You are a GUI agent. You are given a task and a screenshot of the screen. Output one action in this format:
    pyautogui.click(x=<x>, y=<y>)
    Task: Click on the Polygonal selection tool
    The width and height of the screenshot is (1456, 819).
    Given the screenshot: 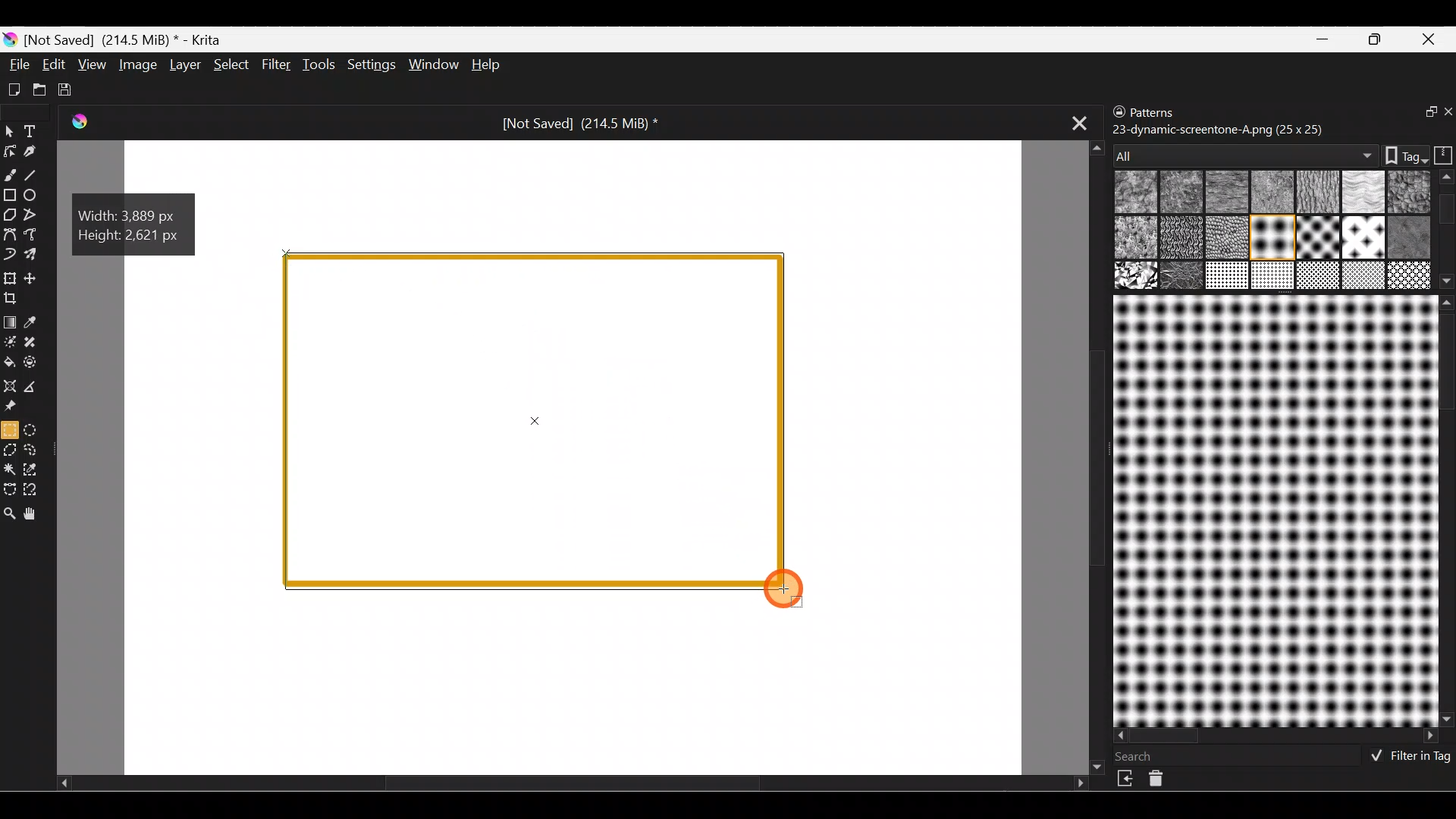 What is the action you would take?
    pyautogui.click(x=11, y=449)
    